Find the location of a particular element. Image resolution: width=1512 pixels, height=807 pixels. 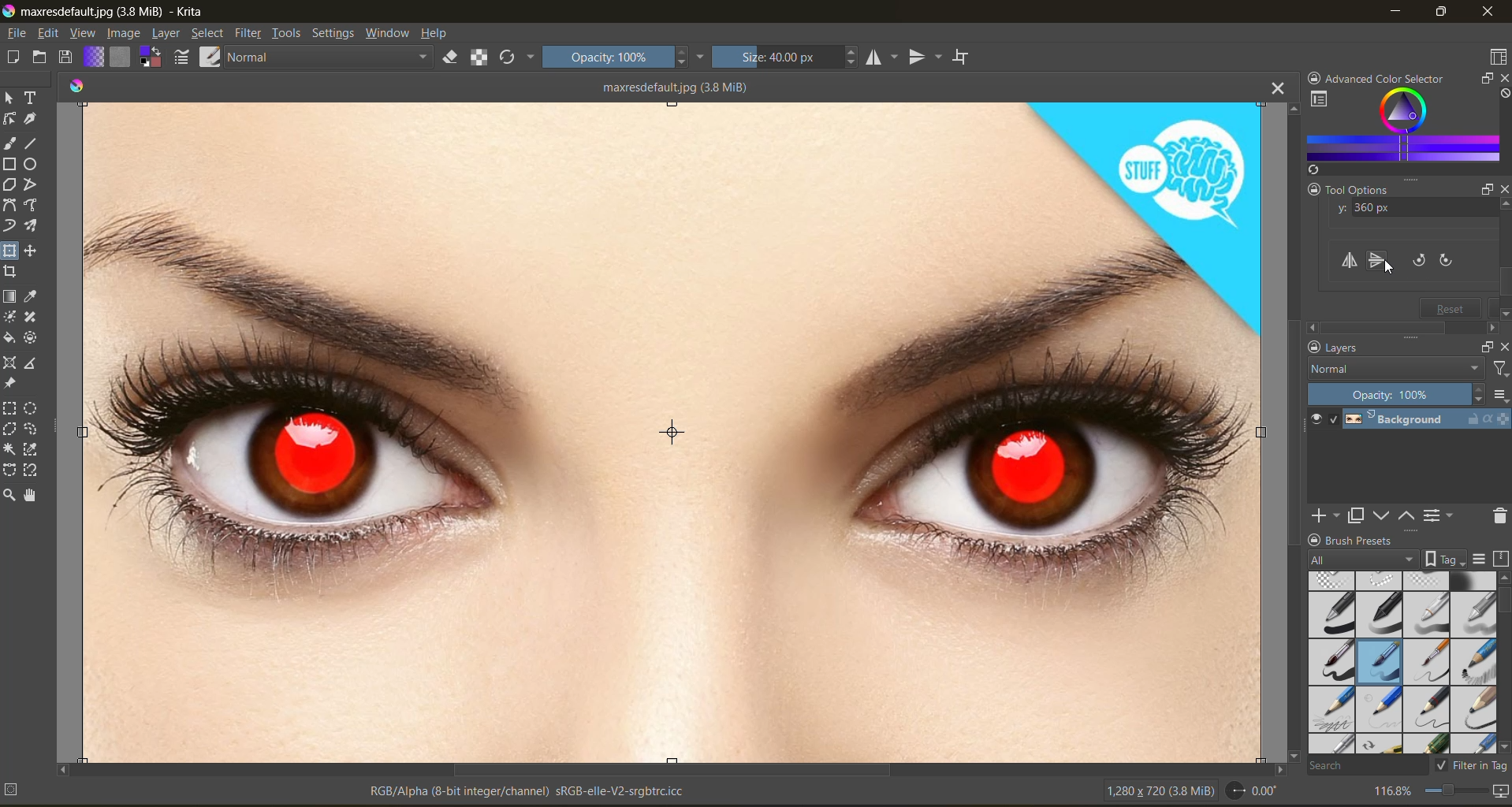

vertical scroll bar is located at coordinates (1503, 262).